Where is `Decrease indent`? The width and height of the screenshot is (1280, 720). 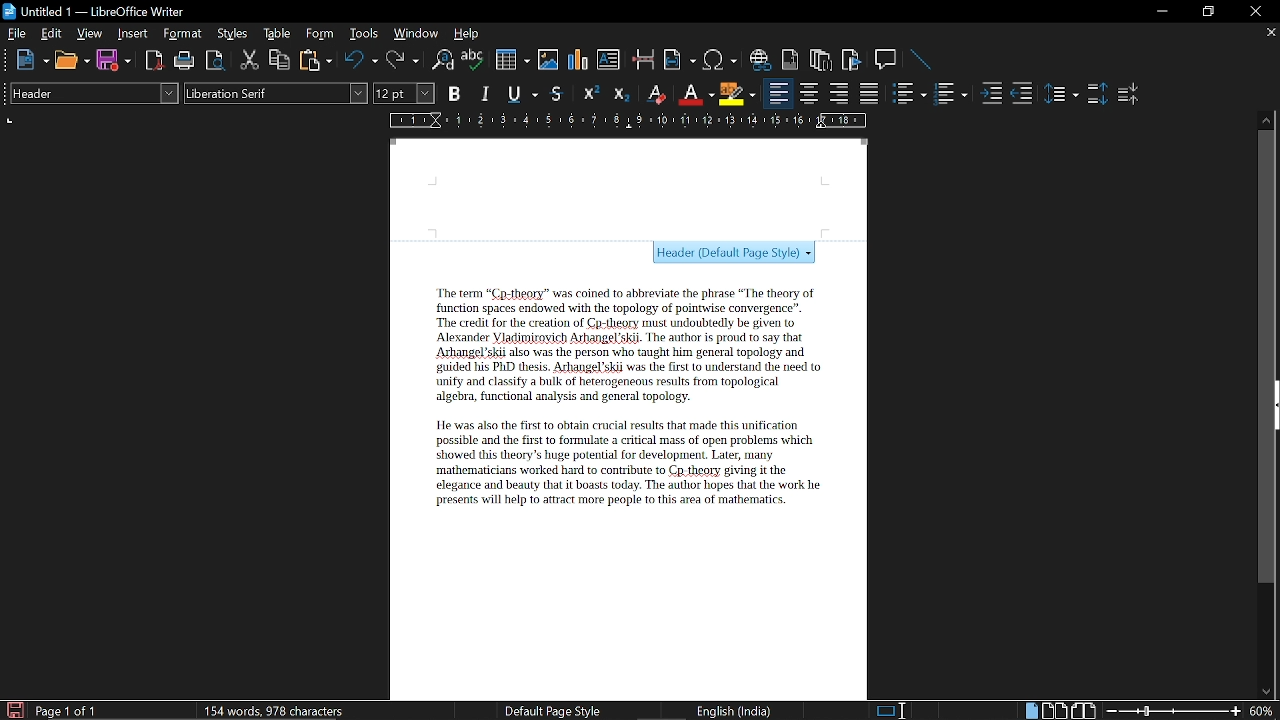 Decrease indent is located at coordinates (1022, 93).